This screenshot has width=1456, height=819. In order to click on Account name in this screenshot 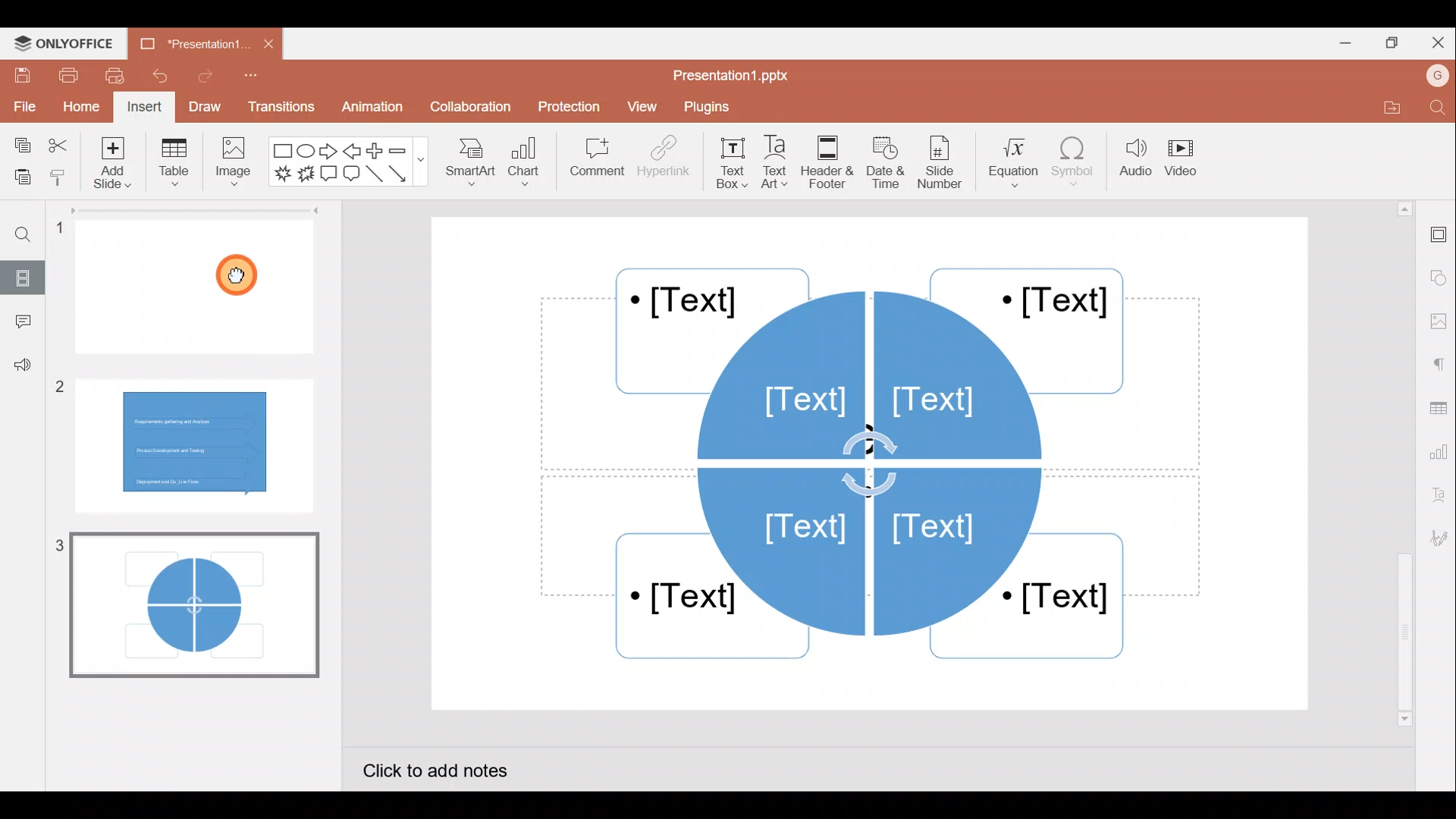, I will do `click(1432, 78)`.